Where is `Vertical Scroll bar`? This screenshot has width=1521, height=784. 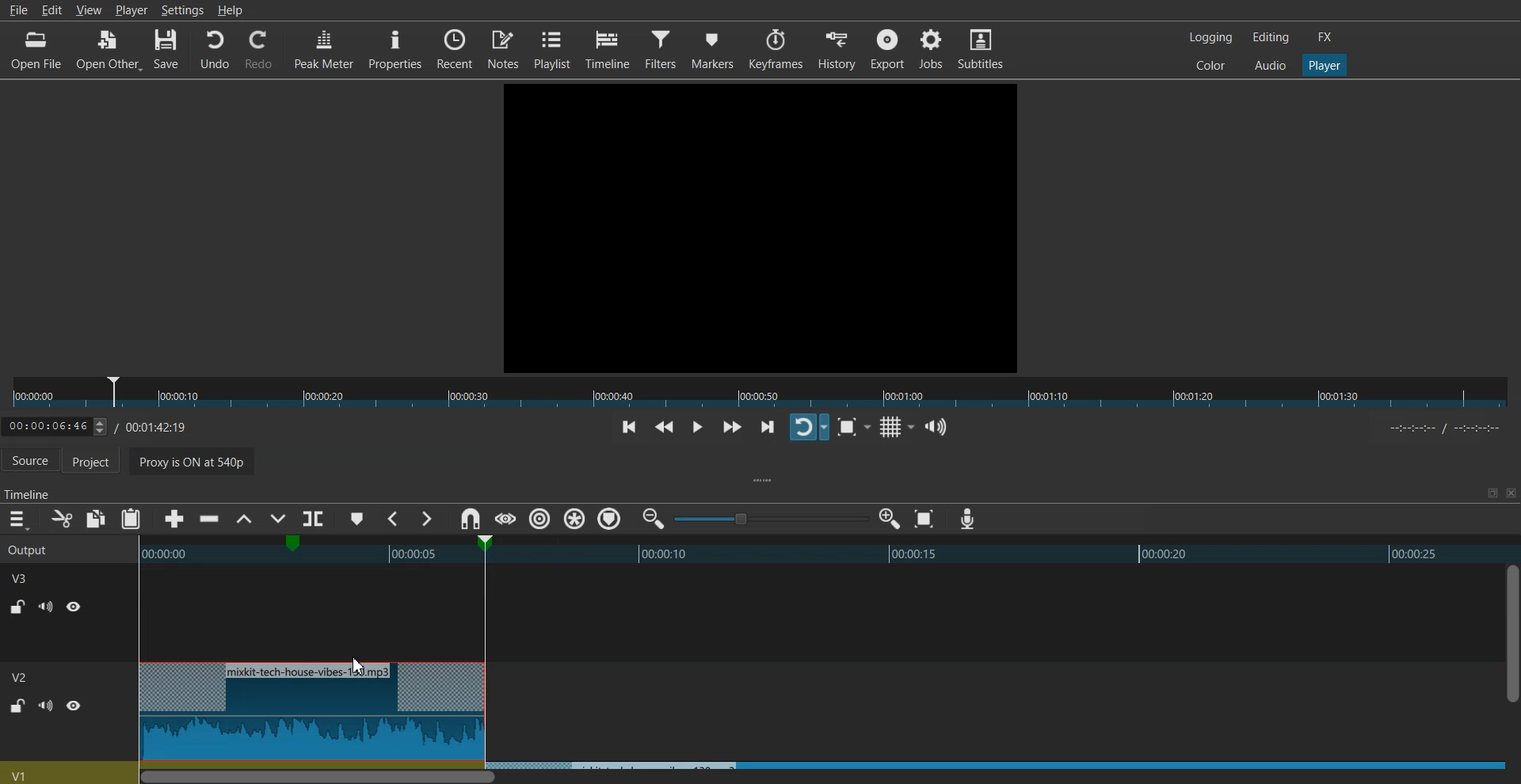 Vertical Scroll bar is located at coordinates (1511, 663).